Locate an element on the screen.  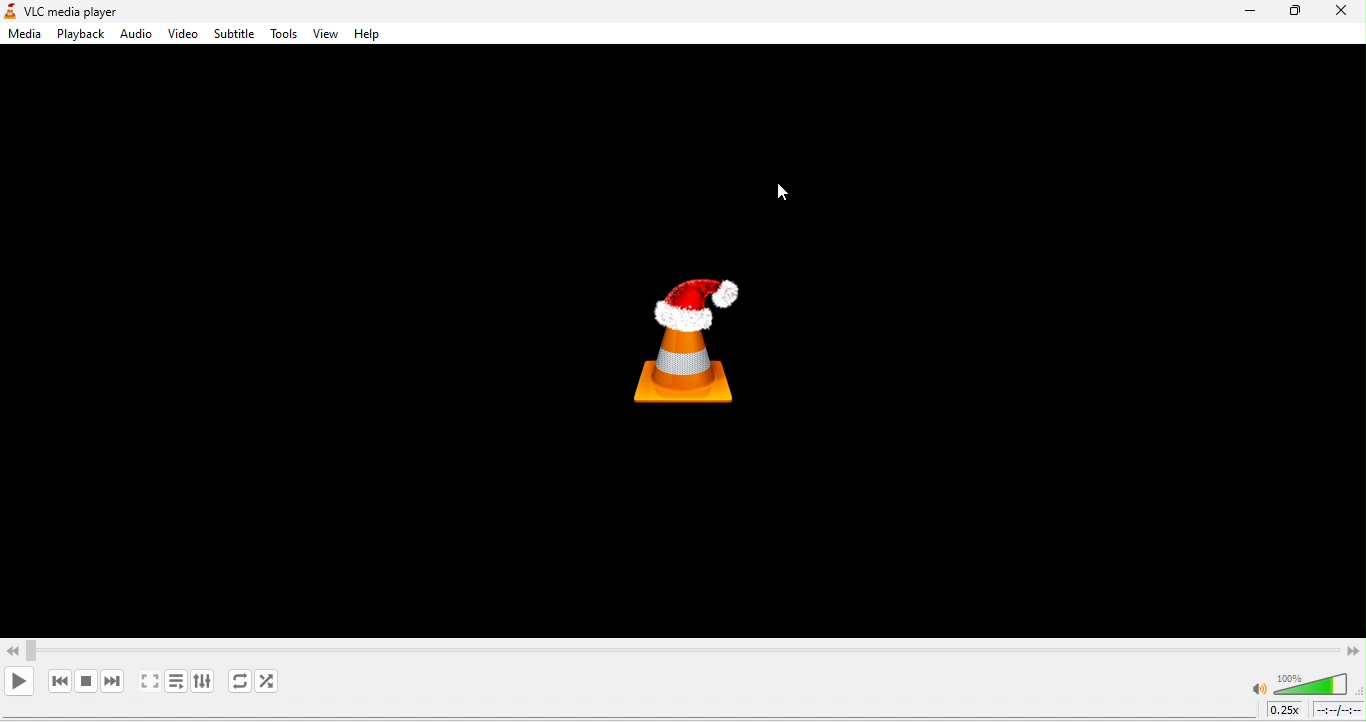
minimize is located at coordinates (1248, 12).